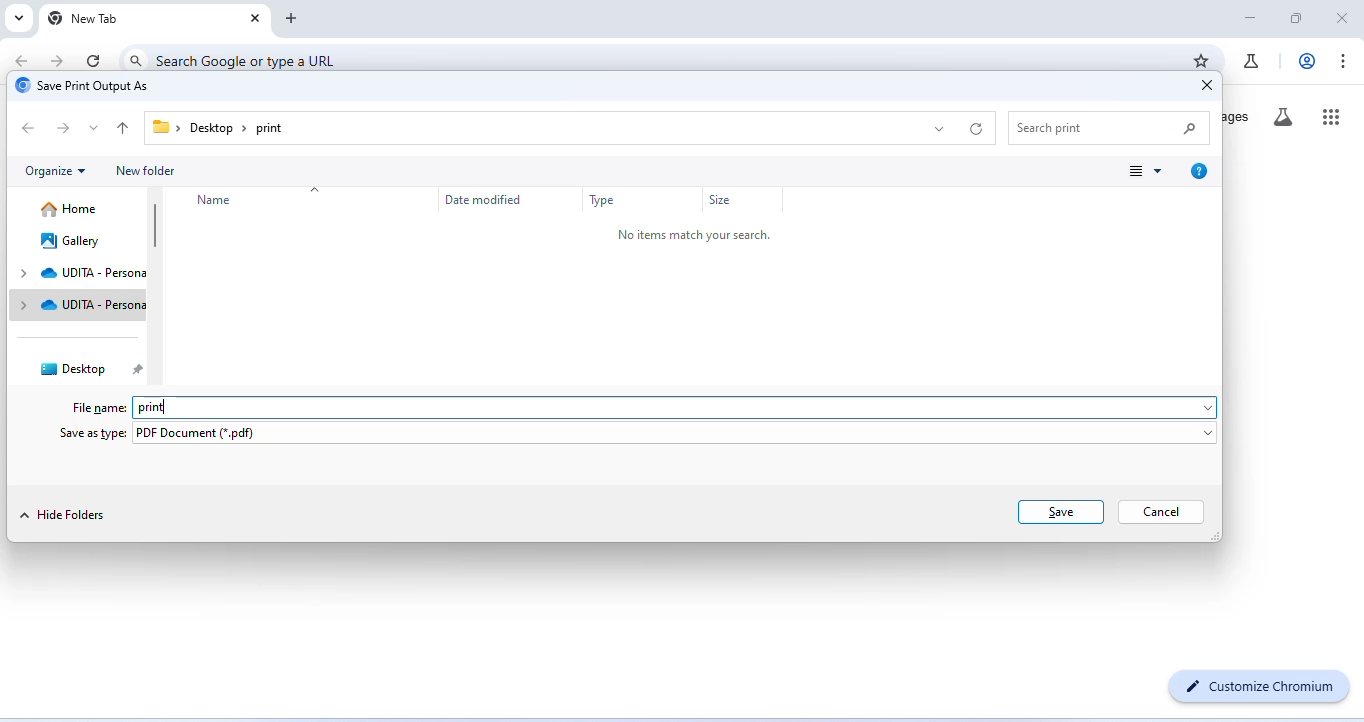  I want to click on print, so click(151, 407).